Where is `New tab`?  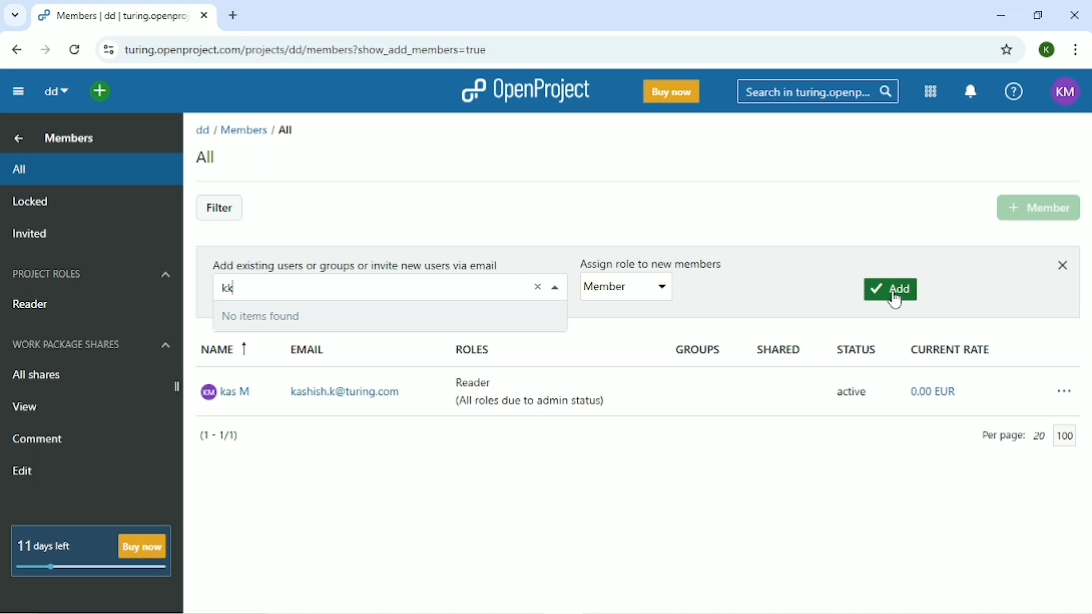 New tab is located at coordinates (233, 17).